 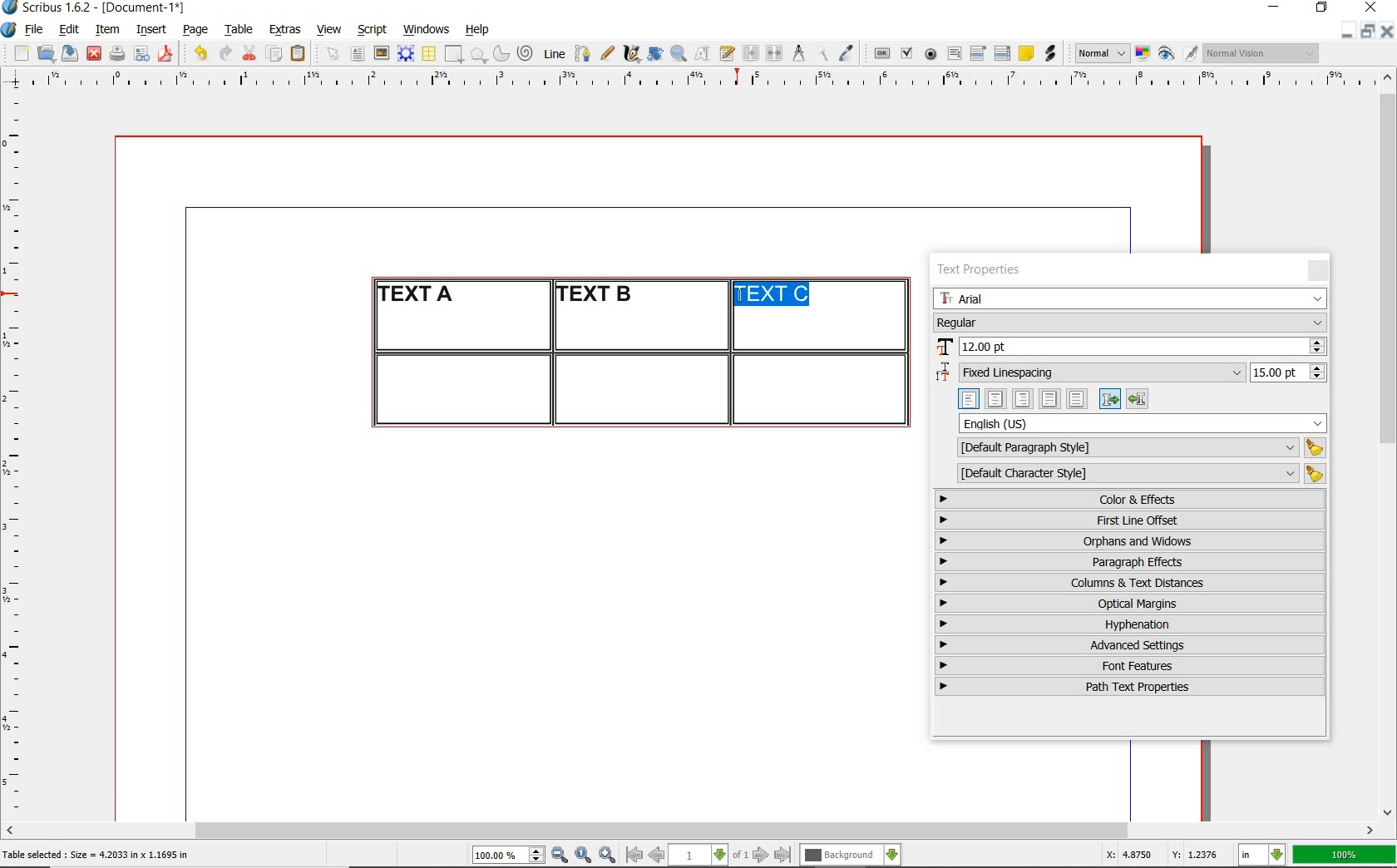 I want to click on 100%, so click(x=1345, y=855).